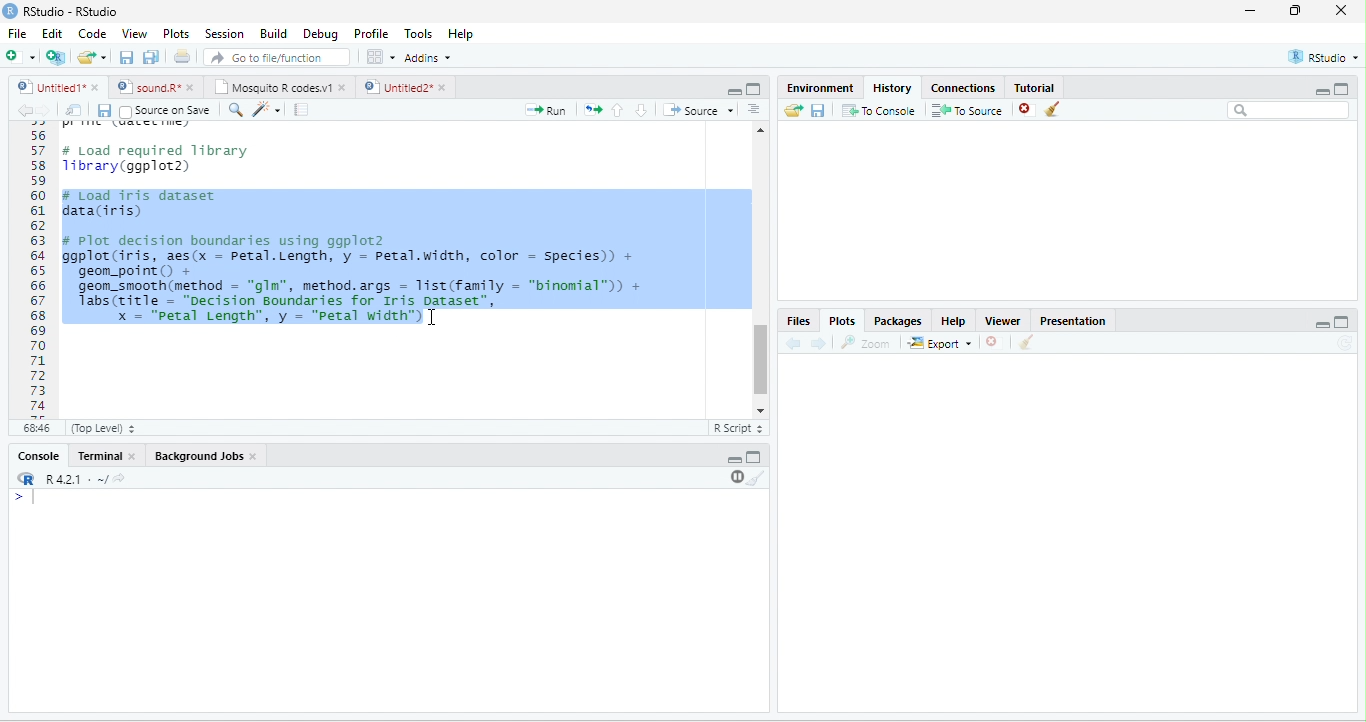 Image resolution: width=1366 pixels, height=722 pixels. What do you see at coordinates (138, 202) in the screenshot?
I see `# Load iris dataset data(iris)` at bounding box center [138, 202].